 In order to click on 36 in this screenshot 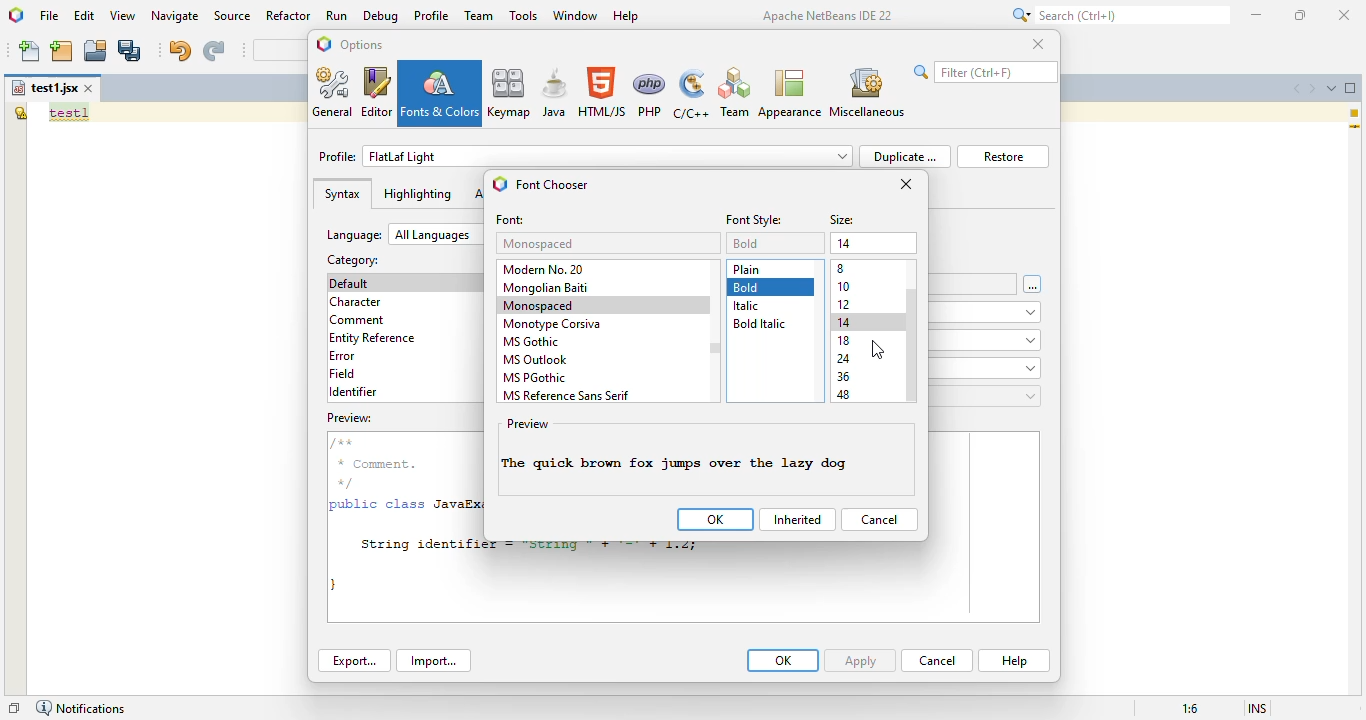, I will do `click(844, 376)`.